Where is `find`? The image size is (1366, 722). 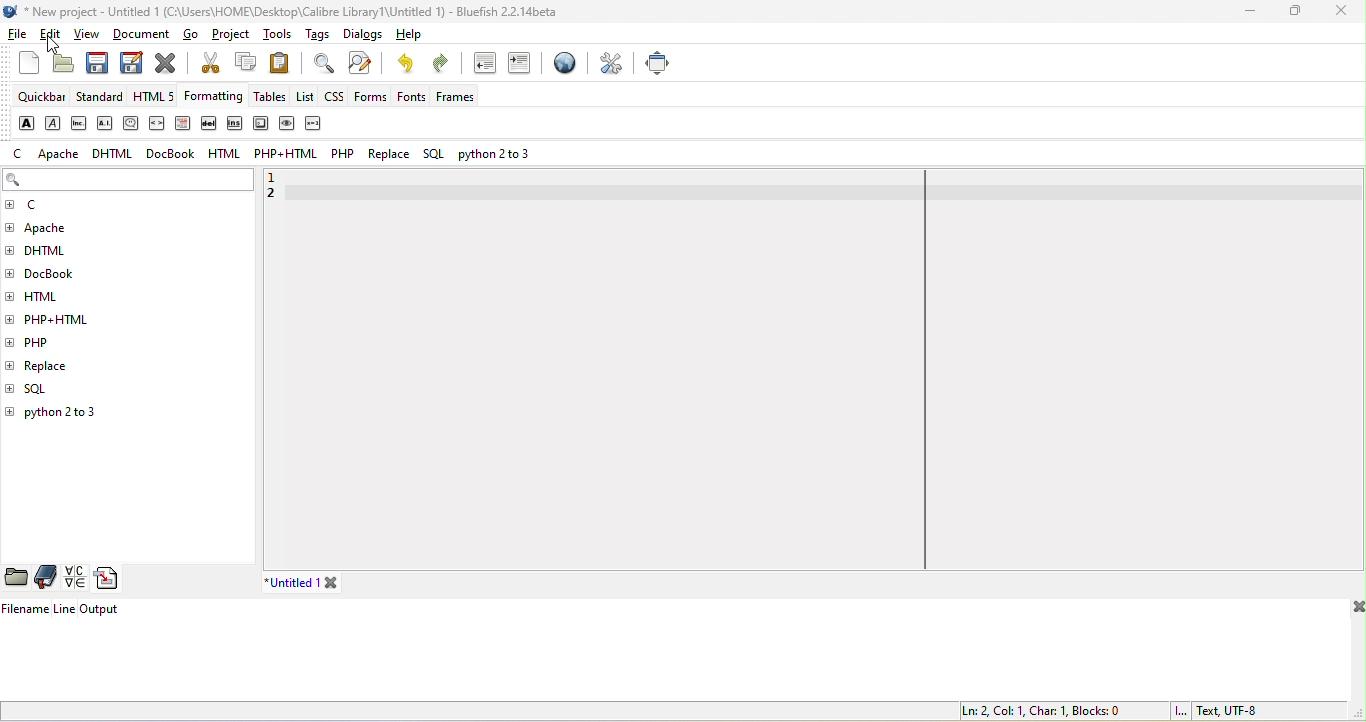
find is located at coordinates (320, 63).